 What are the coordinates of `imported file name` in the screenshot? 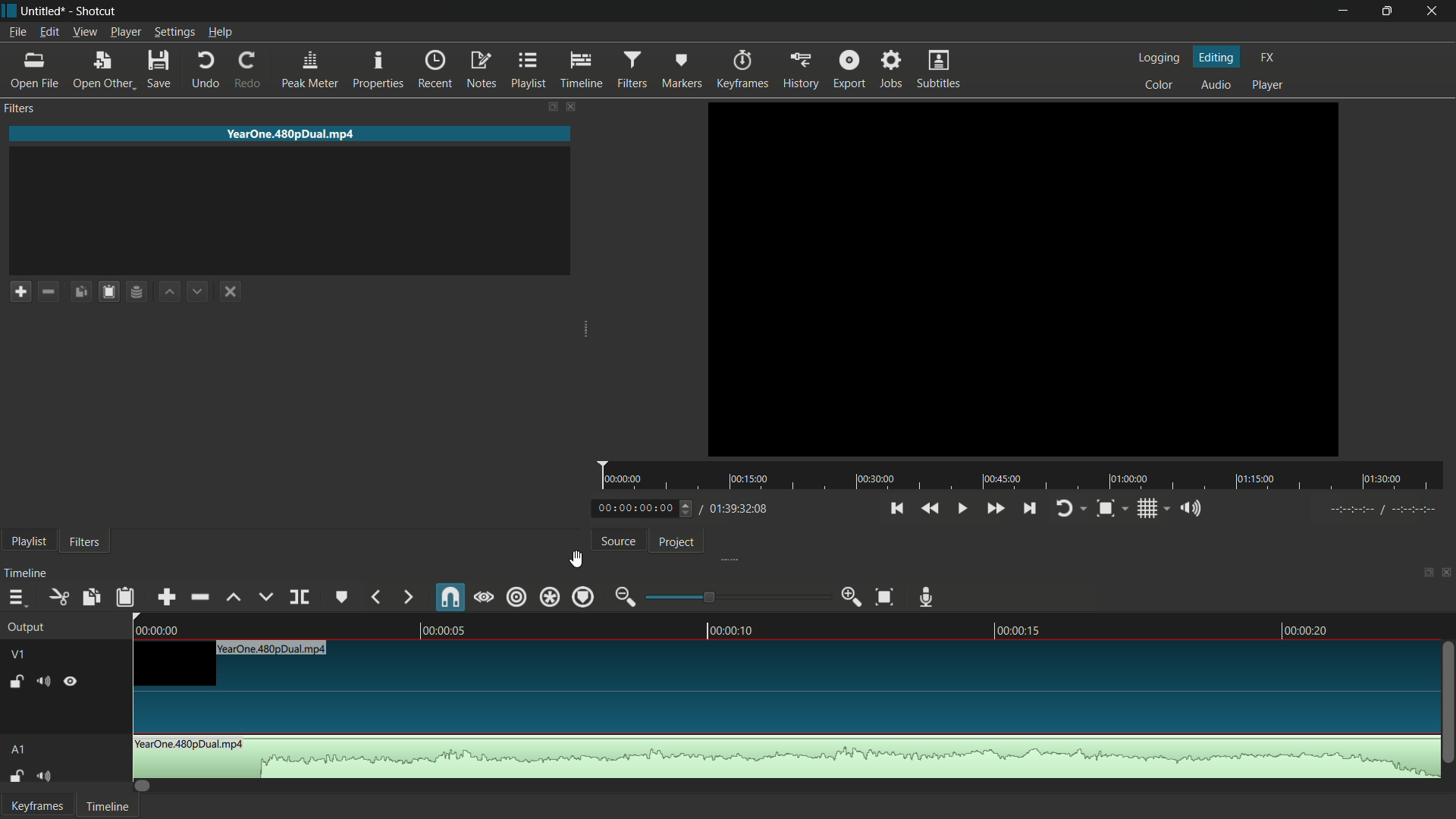 It's located at (289, 134).